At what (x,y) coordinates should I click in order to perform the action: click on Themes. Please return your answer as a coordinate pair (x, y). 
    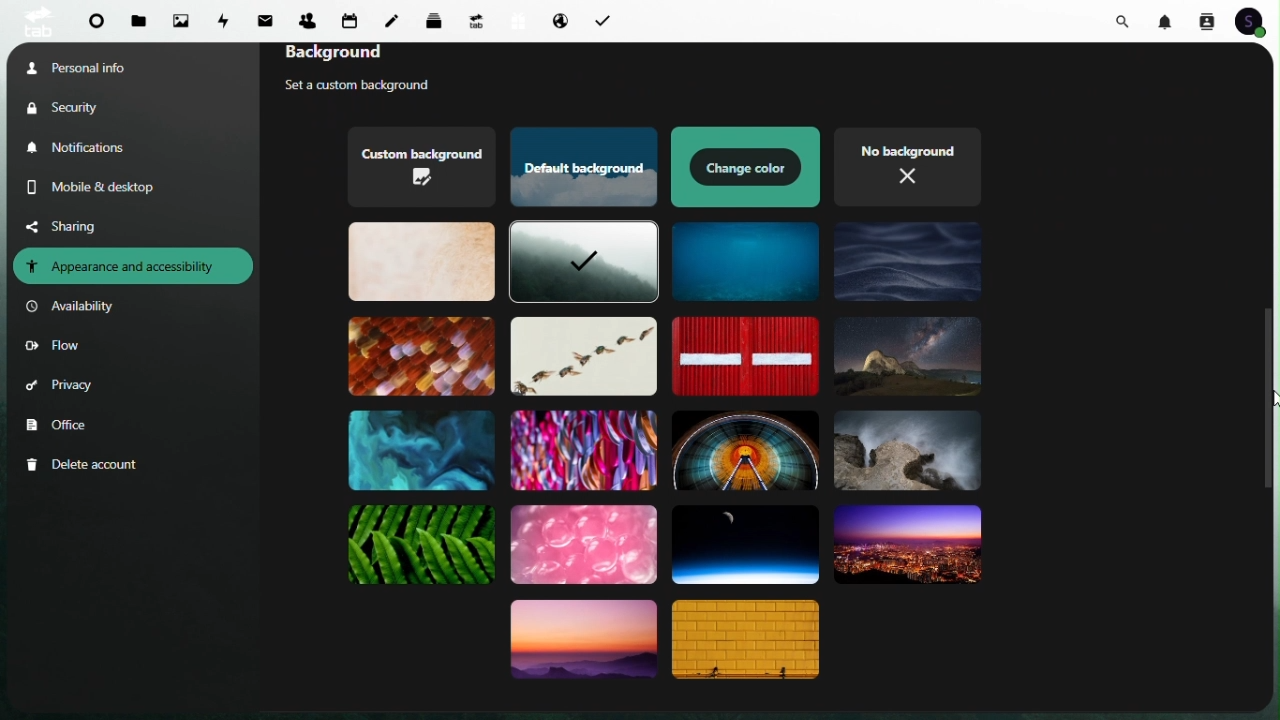
    Looking at the image, I should click on (581, 356).